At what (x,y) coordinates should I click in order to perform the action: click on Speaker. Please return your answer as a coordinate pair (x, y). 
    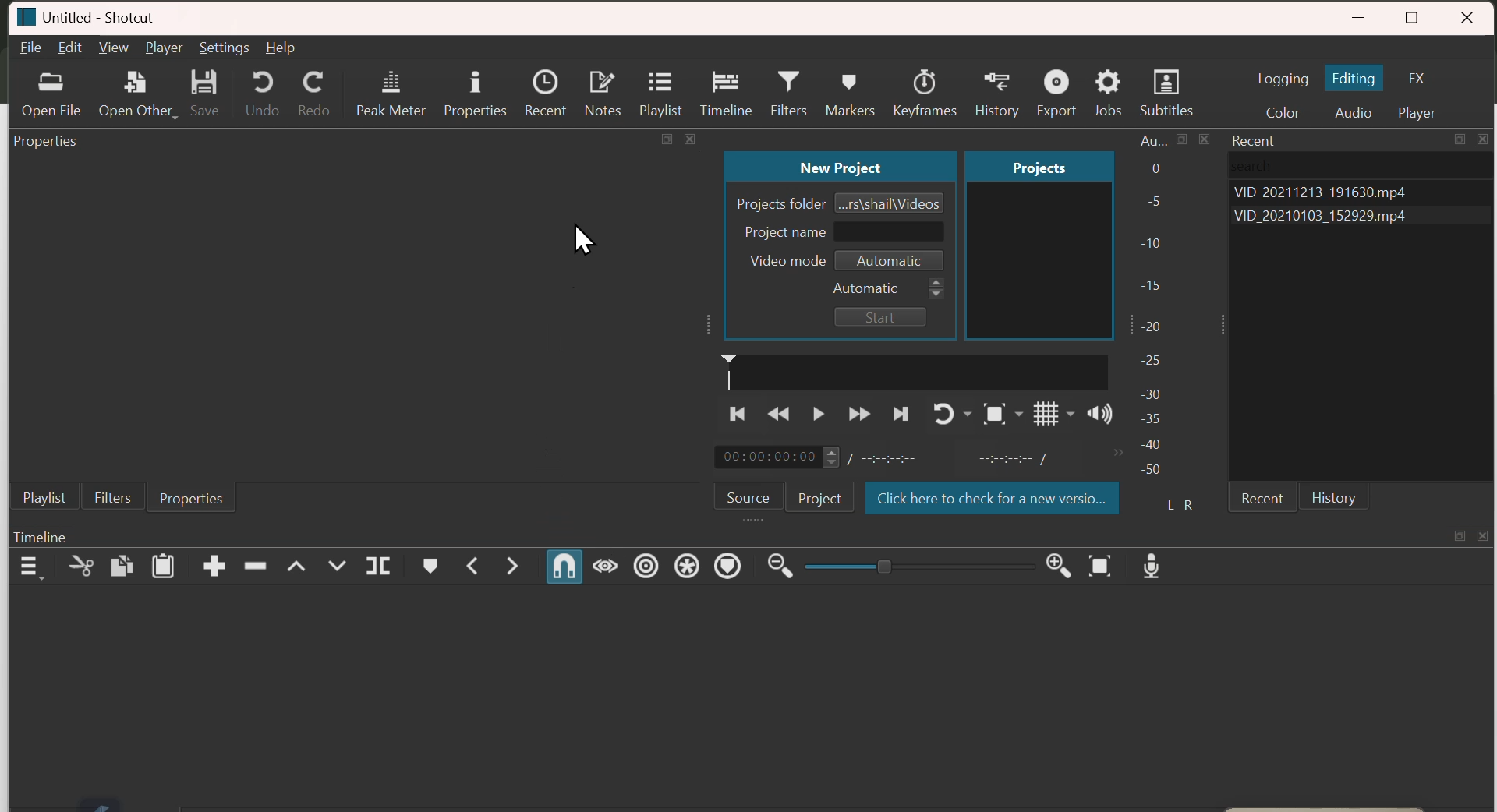
    Looking at the image, I should click on (1101, 414).